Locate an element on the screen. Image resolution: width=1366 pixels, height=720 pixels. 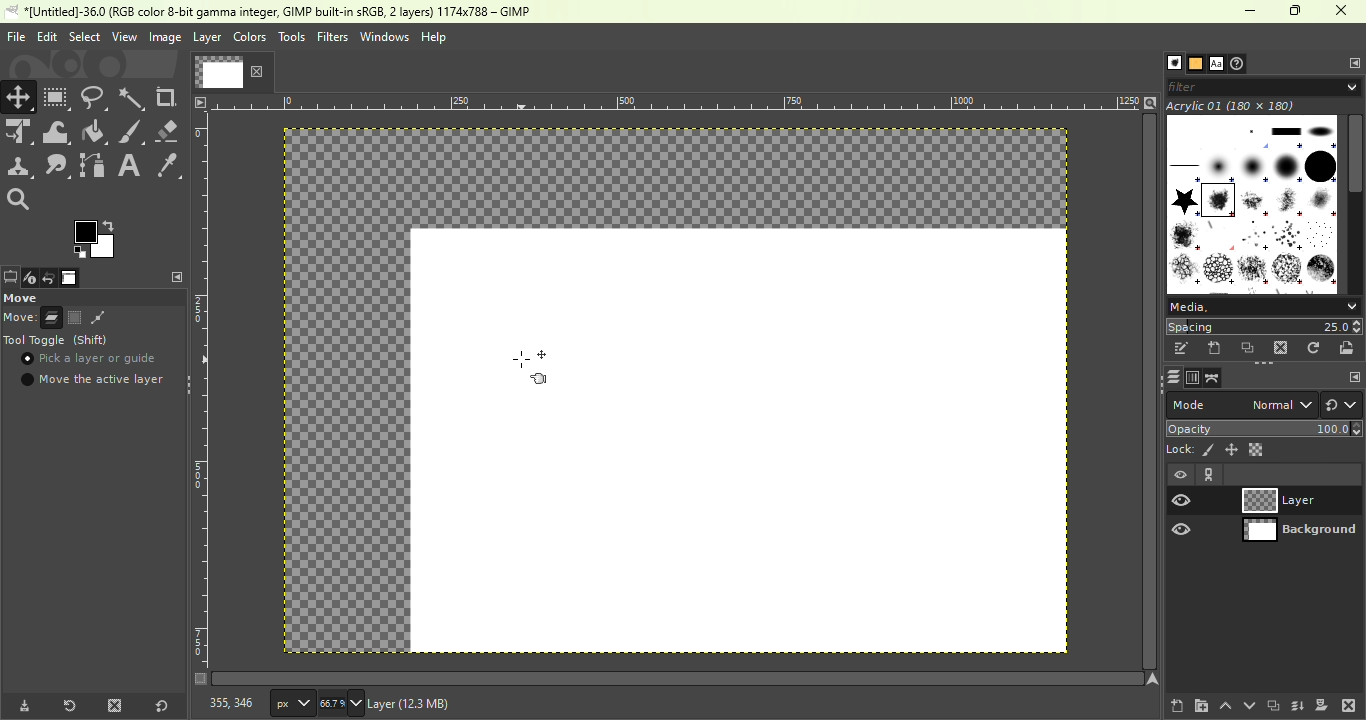
Create a new brush is located at coordinates (1215, 349).